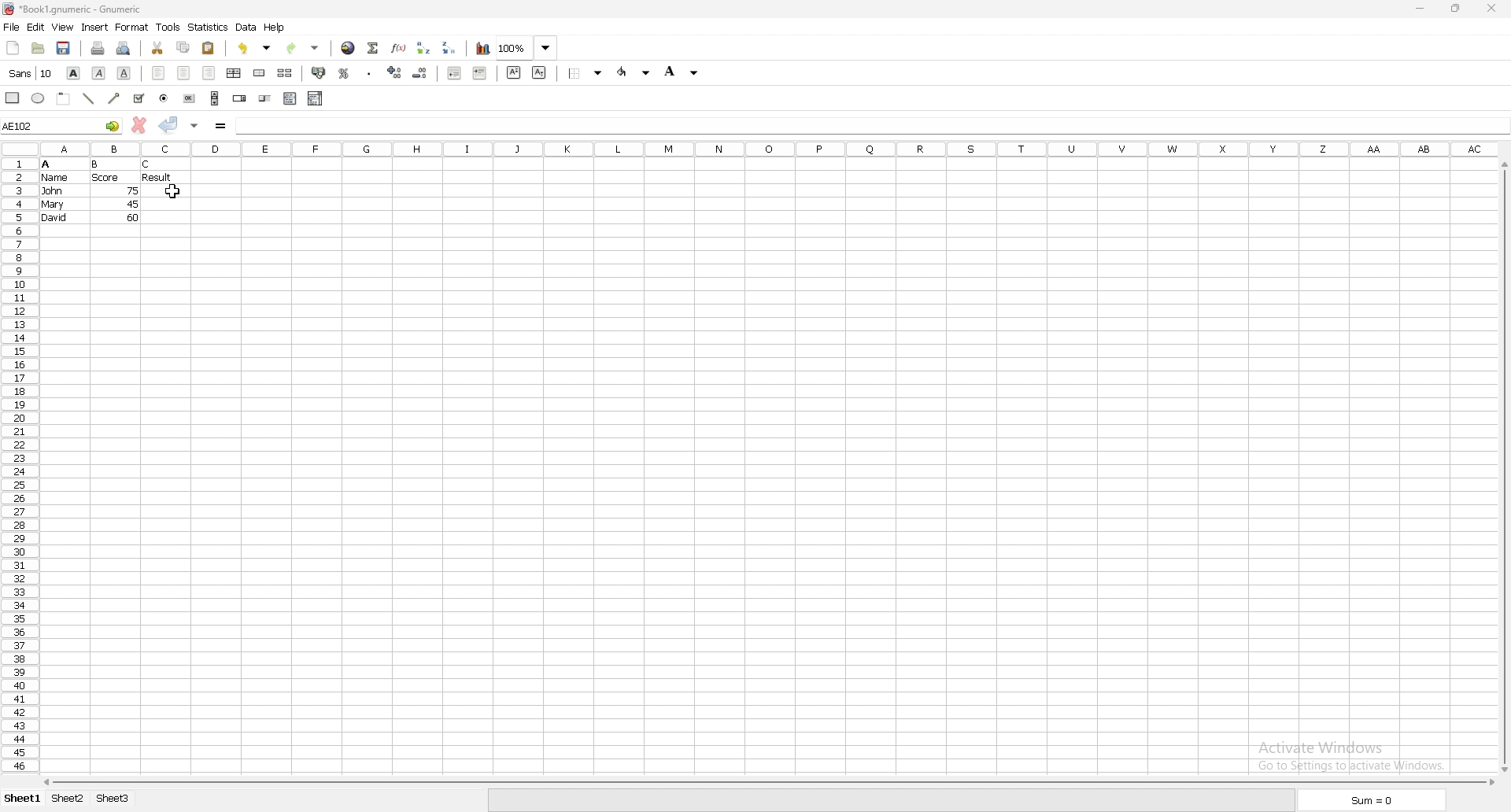 The height and width of the screenshot is (812, 1511). I want to click on foreground, so click(634, 72).